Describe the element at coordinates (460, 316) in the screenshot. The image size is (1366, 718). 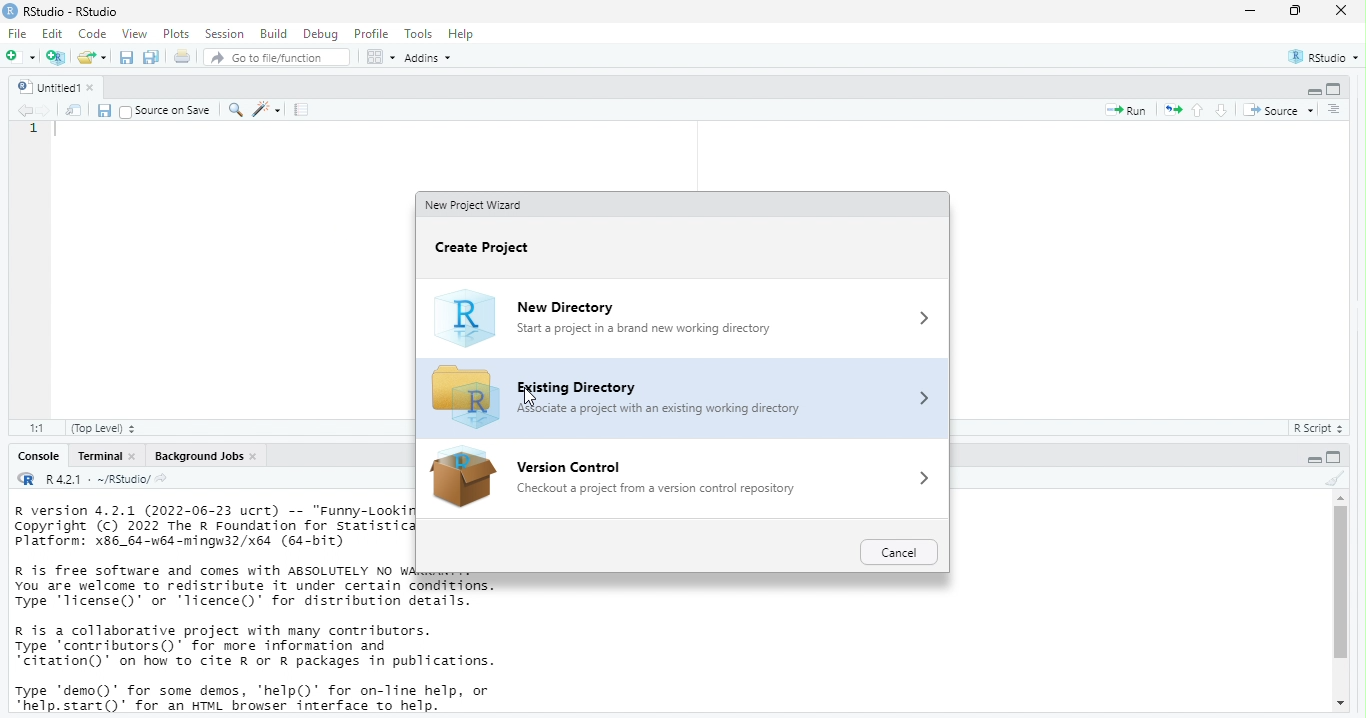
I see `logo of R` at that location.